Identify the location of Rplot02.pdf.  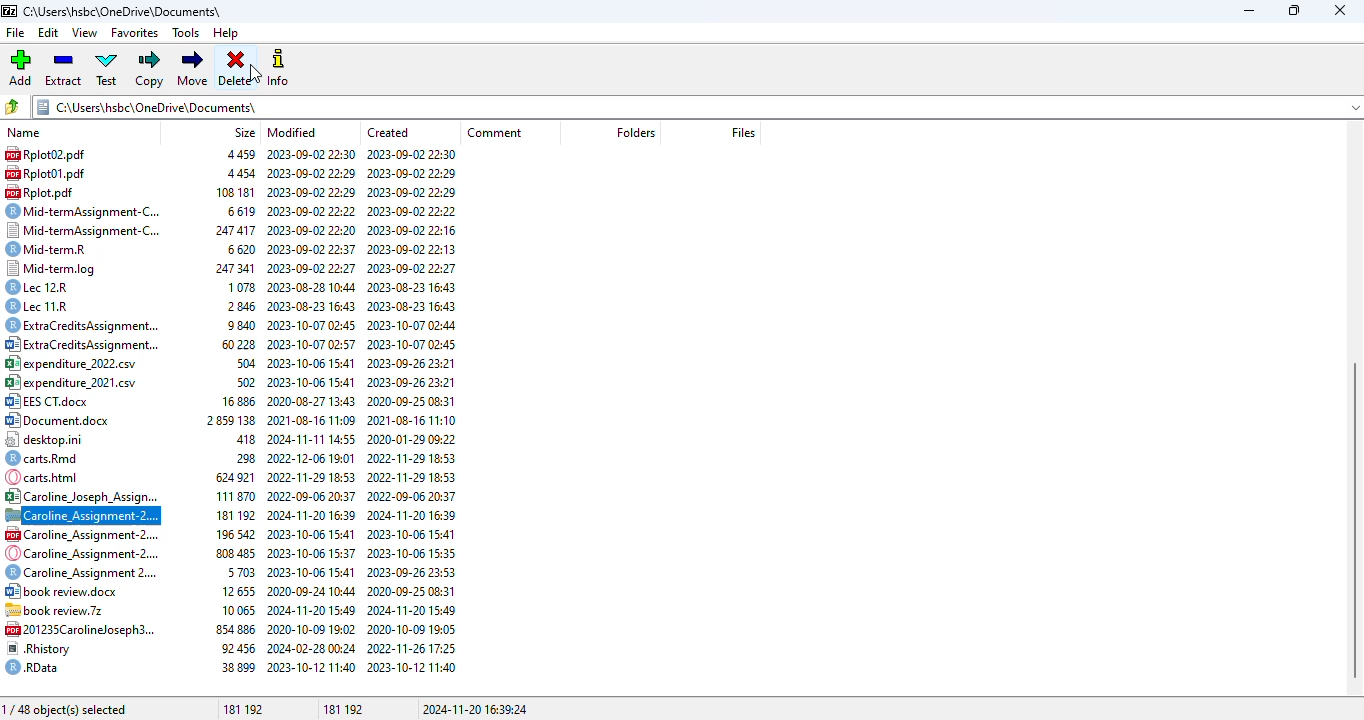
(65, 154).